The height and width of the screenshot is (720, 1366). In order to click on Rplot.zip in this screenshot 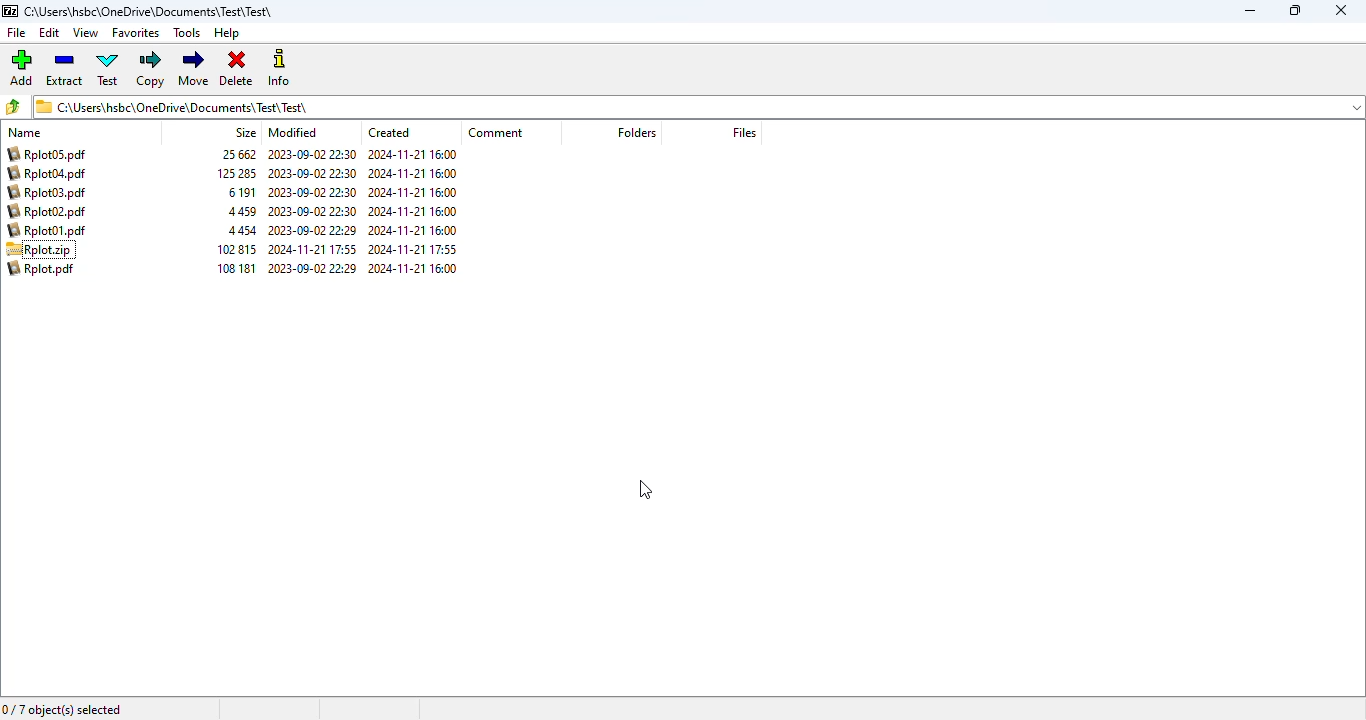, I will do `click(39, 250)`.